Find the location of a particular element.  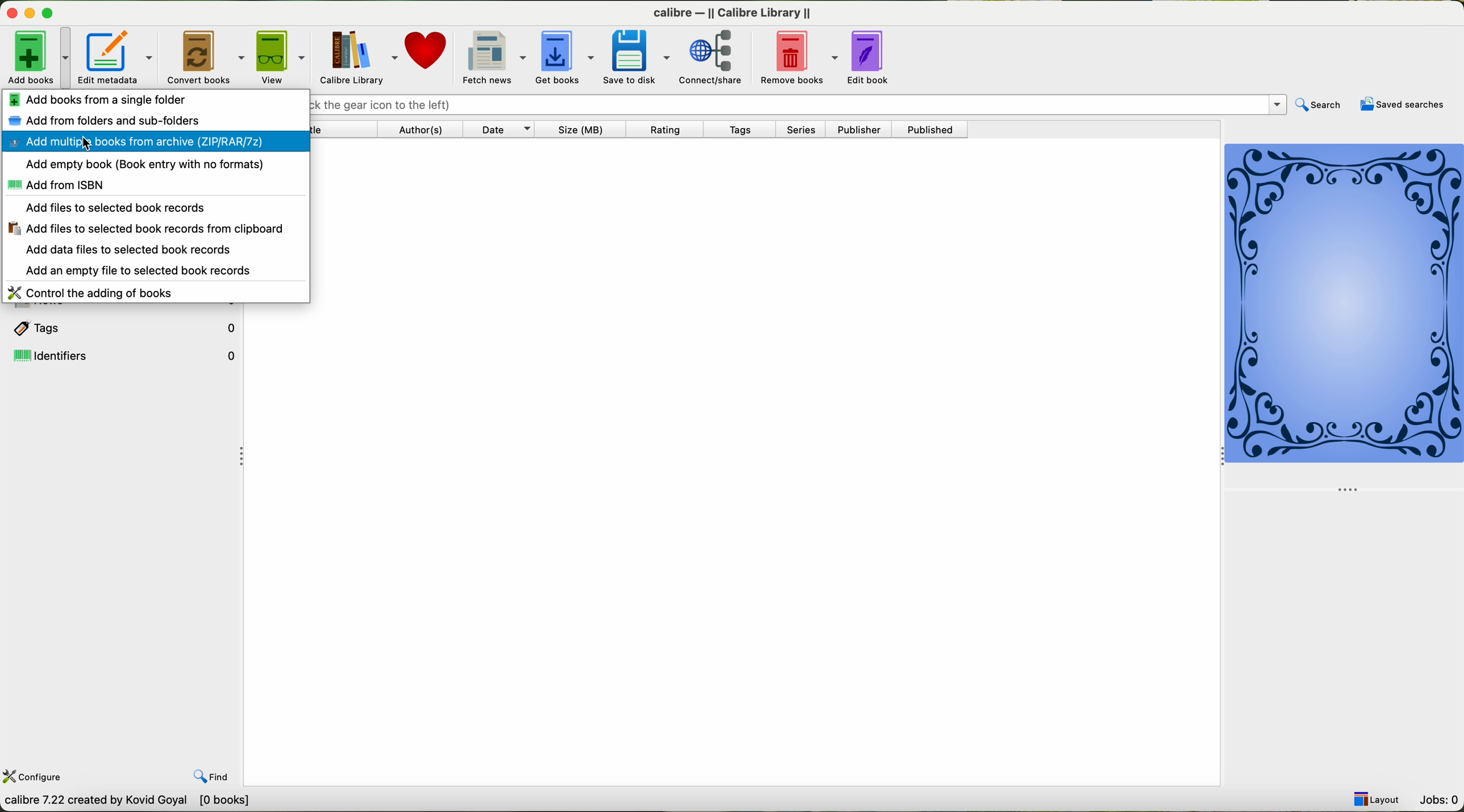

jobs: 0 is located at coordinates (1440, 799).